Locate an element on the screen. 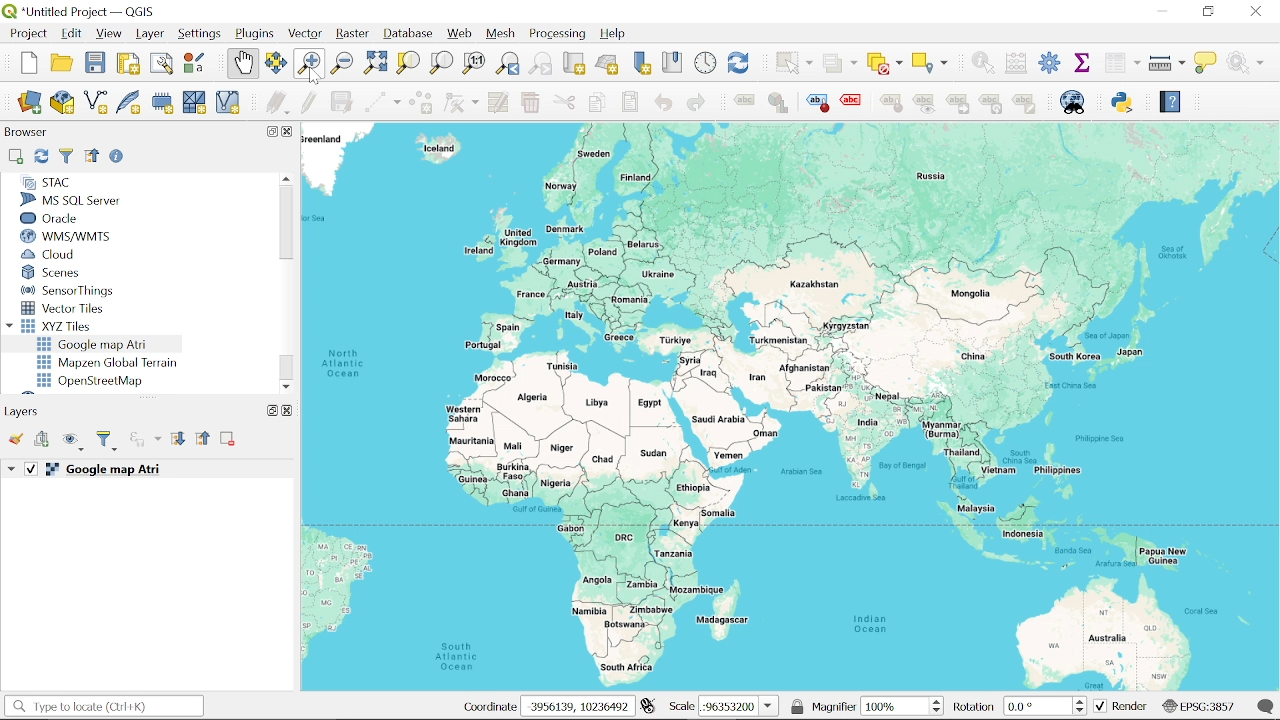  Refresh is located at coordinates (740, 63).